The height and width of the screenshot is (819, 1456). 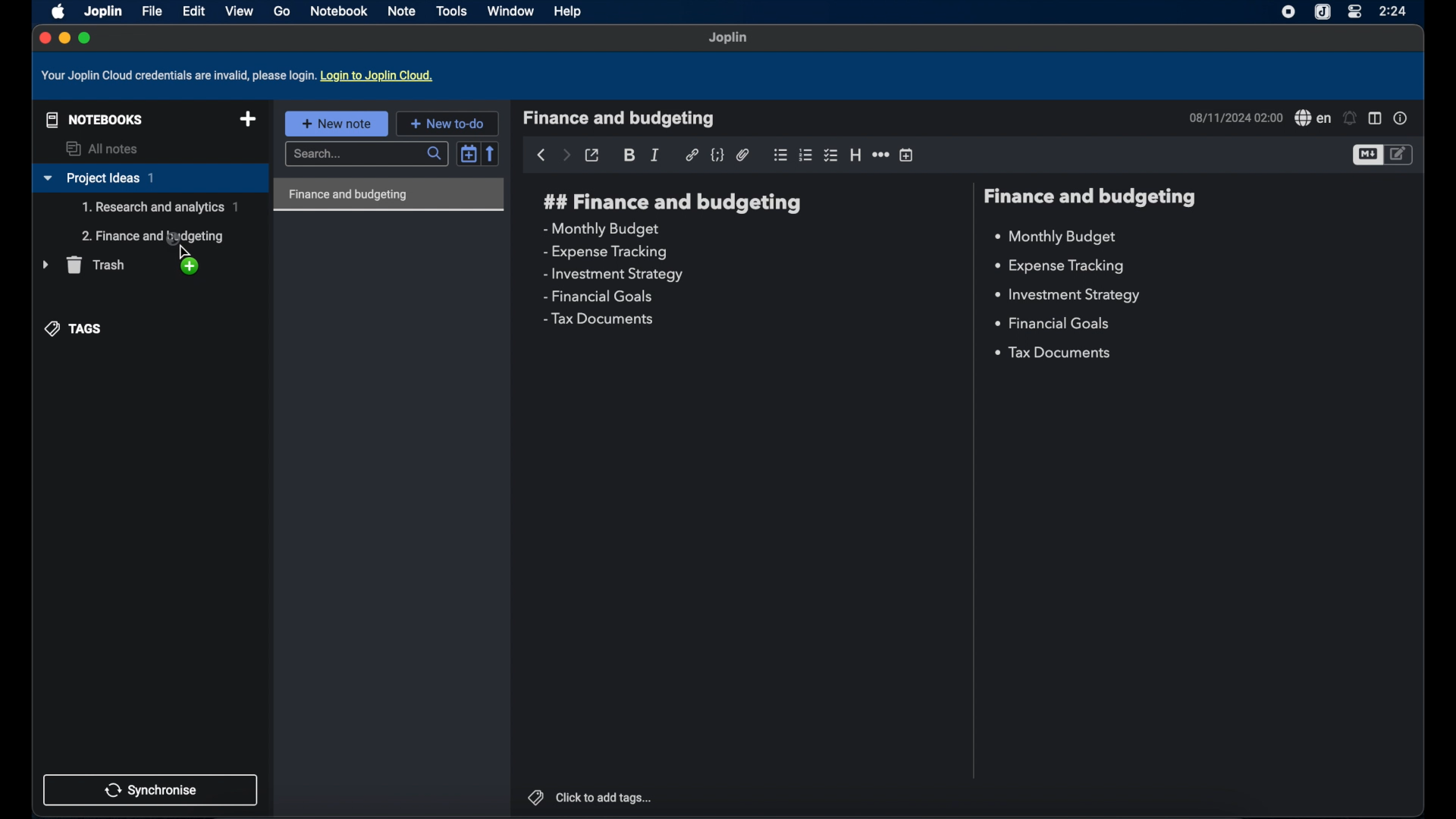 I want to click on set alarm, so click(x=1351, y=118).